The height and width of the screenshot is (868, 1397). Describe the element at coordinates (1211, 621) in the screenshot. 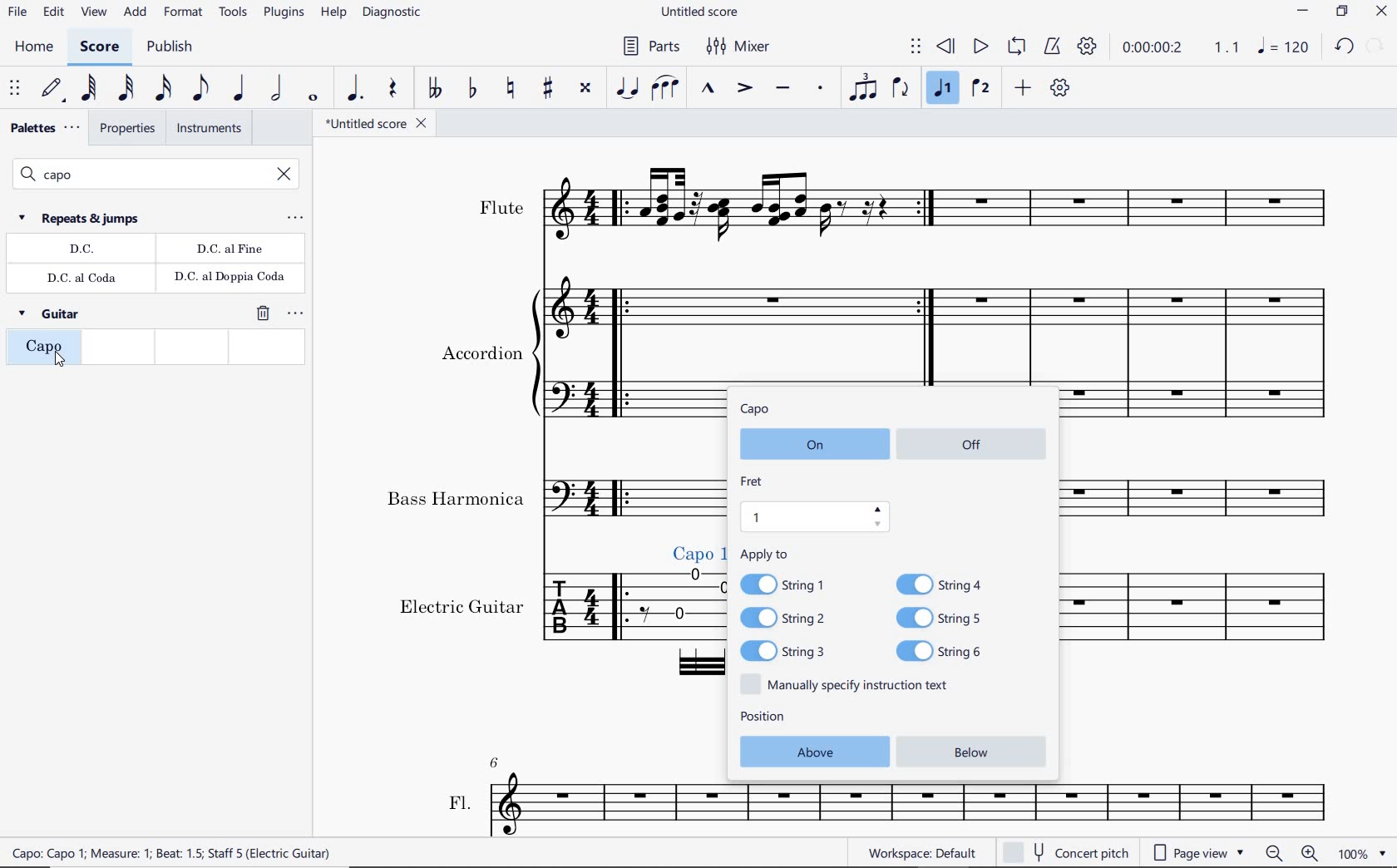

I see `Instrument: Electric guitar` at that location.